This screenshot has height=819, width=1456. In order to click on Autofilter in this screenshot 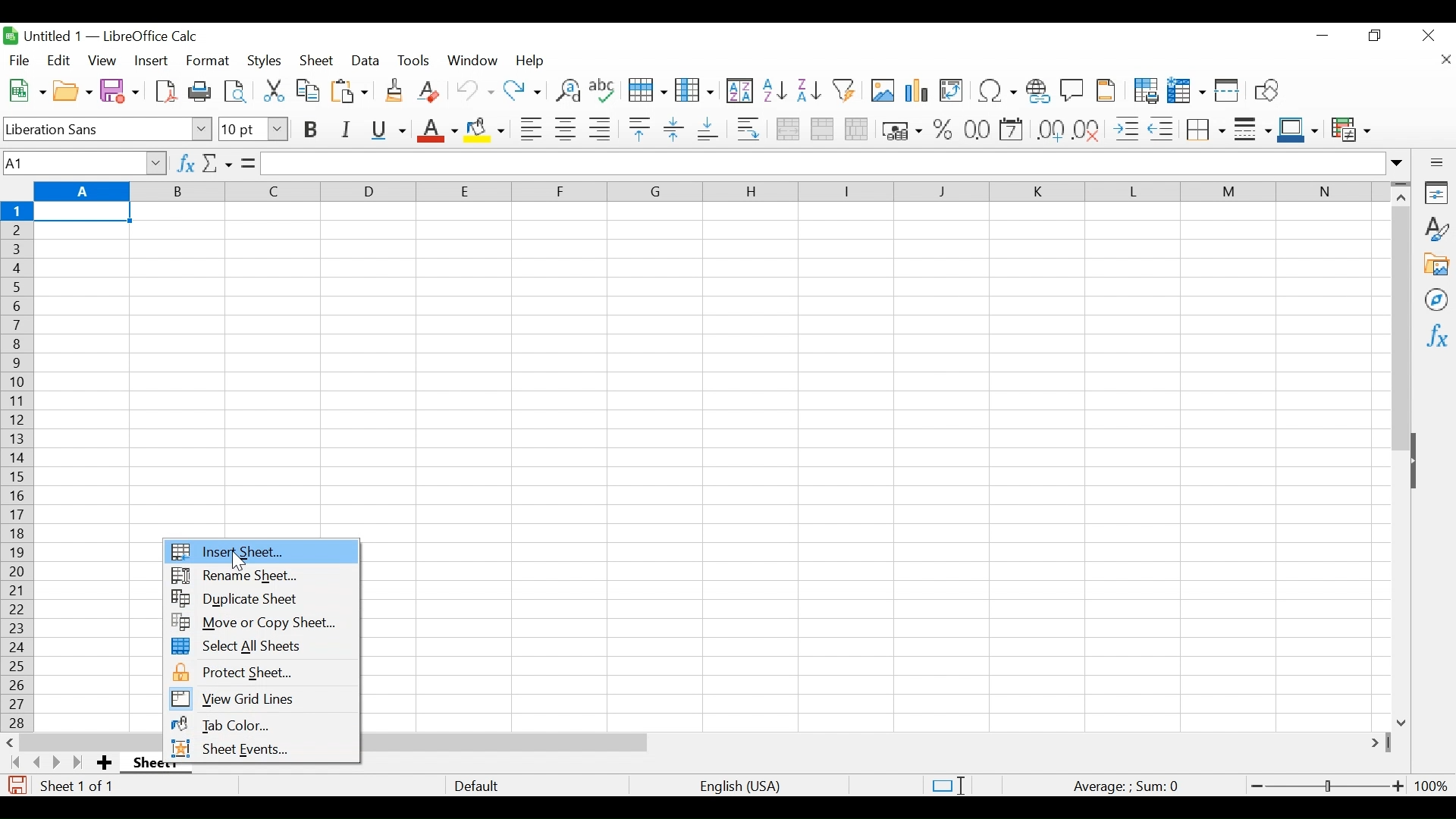, I will do `click(844, 91)`.